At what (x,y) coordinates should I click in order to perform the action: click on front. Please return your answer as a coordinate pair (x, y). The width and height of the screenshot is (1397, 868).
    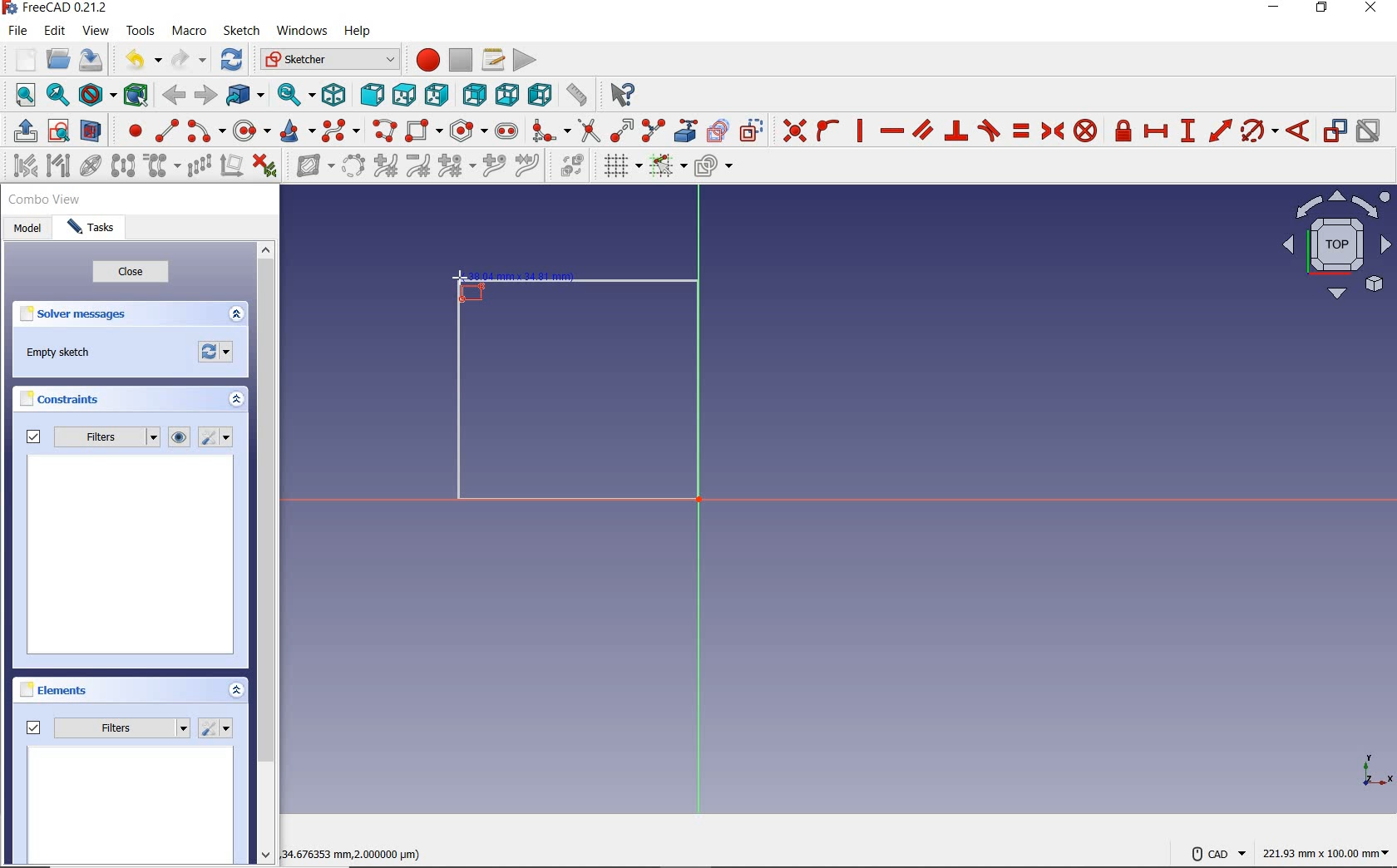
    Looking at the image, I should click on (372, 96).